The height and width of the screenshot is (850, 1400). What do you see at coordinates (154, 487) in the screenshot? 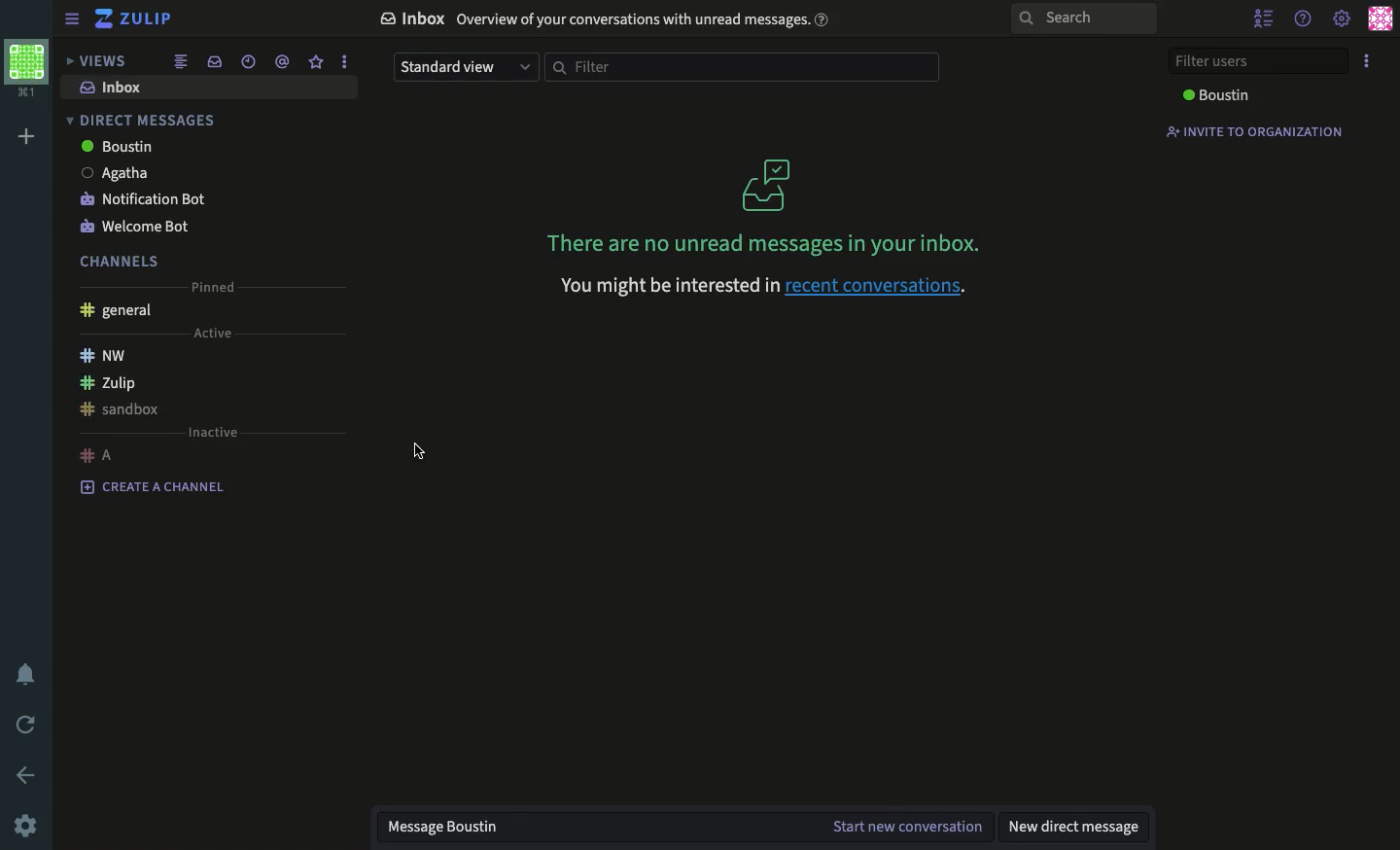
I see `create a channel` at bounding box center [154, 487].